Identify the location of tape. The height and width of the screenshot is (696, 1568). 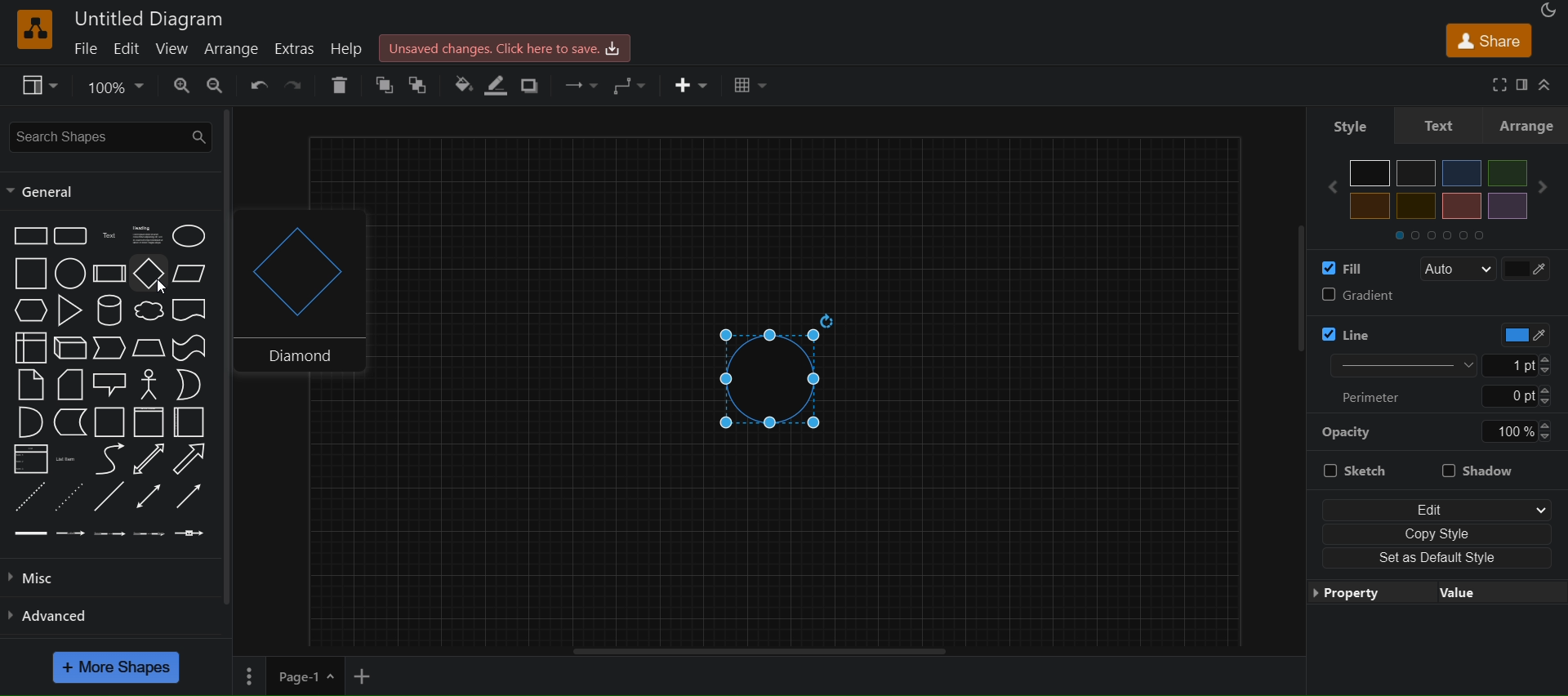
(192, 346).